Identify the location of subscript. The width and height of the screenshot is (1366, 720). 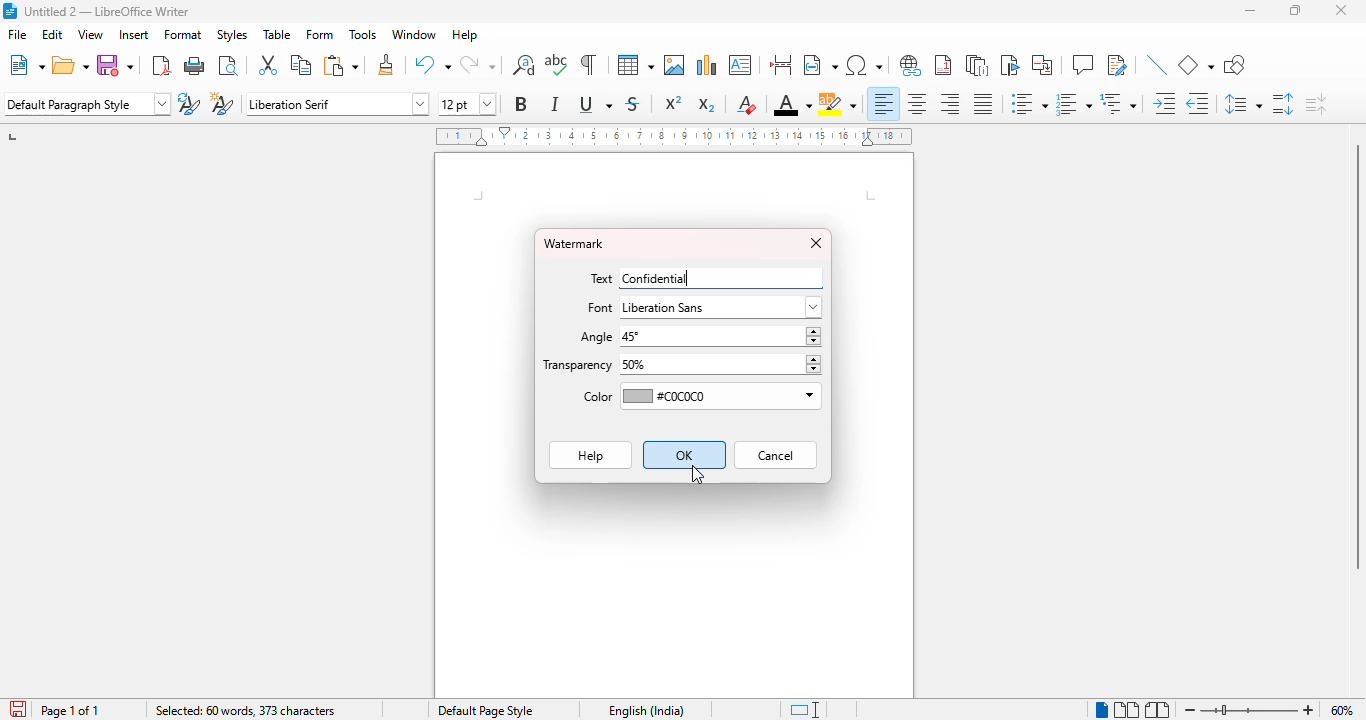
(706, 105).